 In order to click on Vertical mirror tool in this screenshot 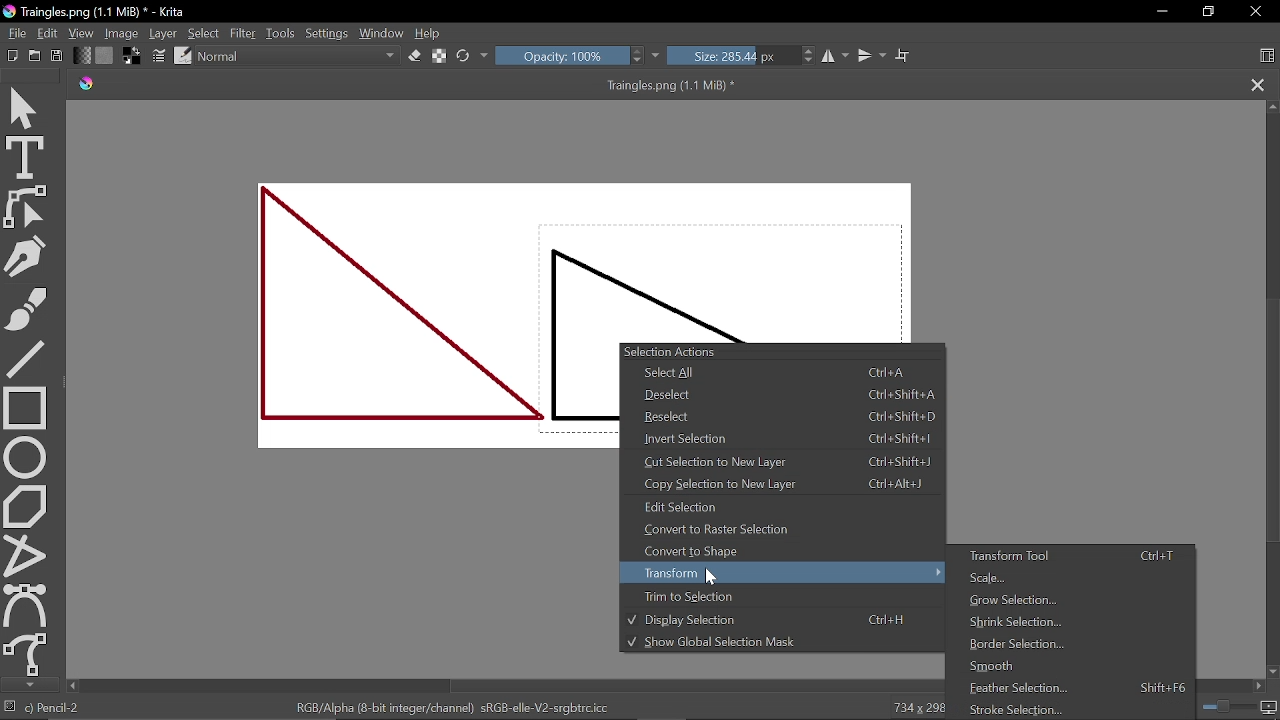, I will do `click(872, 56)`.